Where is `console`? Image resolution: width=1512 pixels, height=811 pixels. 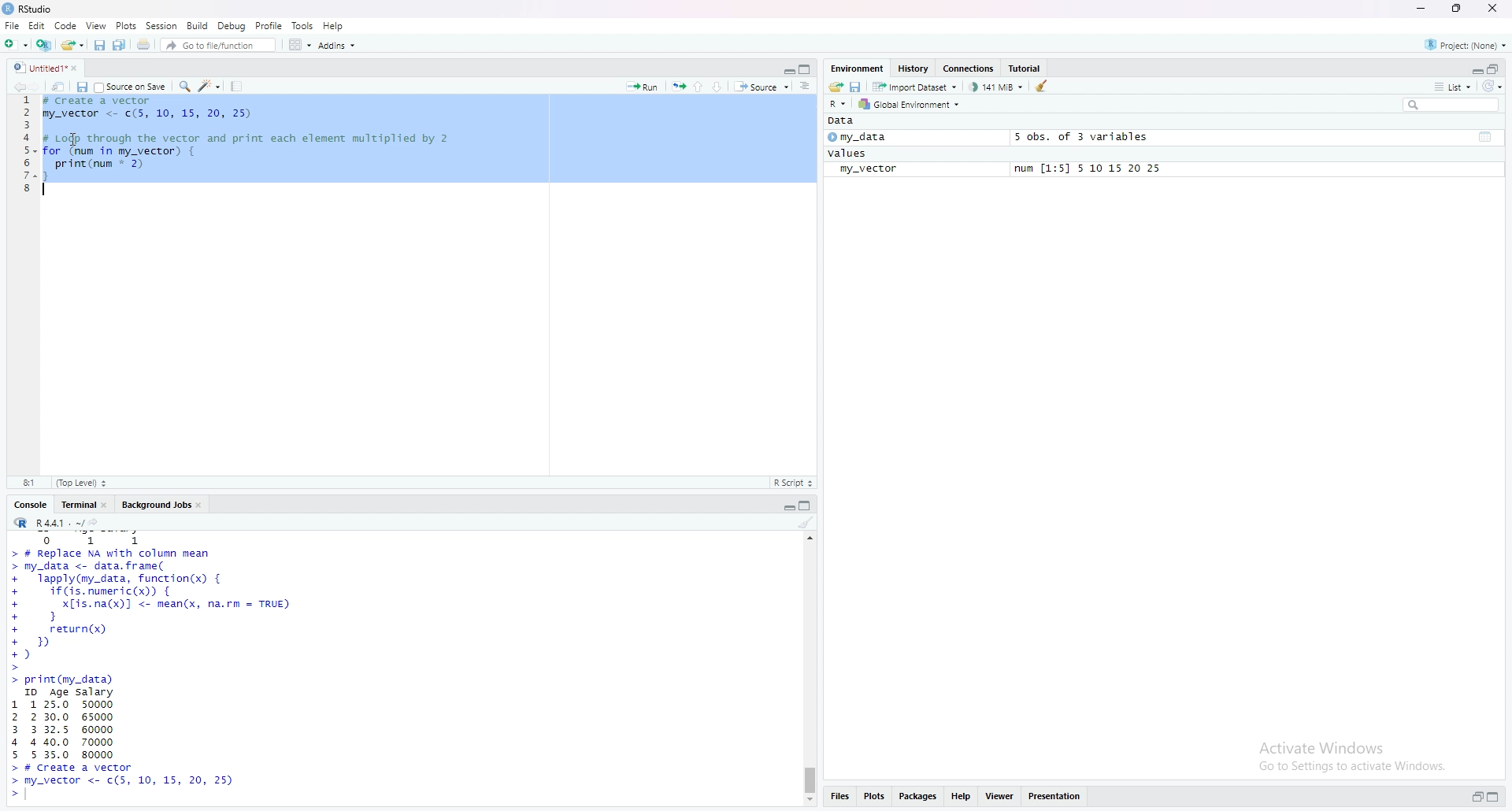
console is located at coordinates (31, 505).